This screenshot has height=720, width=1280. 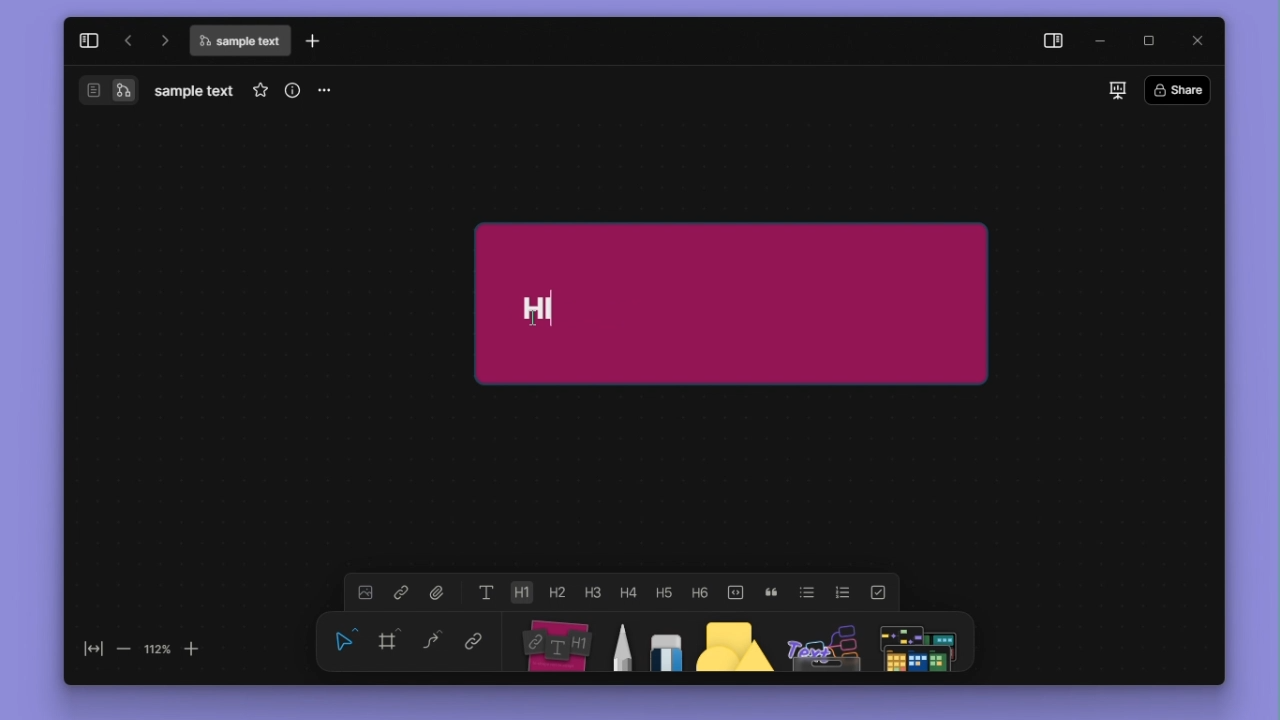 What do you see at coordinates (123, 90) in the screenshot?
I see `switch` at bounding box center [123, 90].